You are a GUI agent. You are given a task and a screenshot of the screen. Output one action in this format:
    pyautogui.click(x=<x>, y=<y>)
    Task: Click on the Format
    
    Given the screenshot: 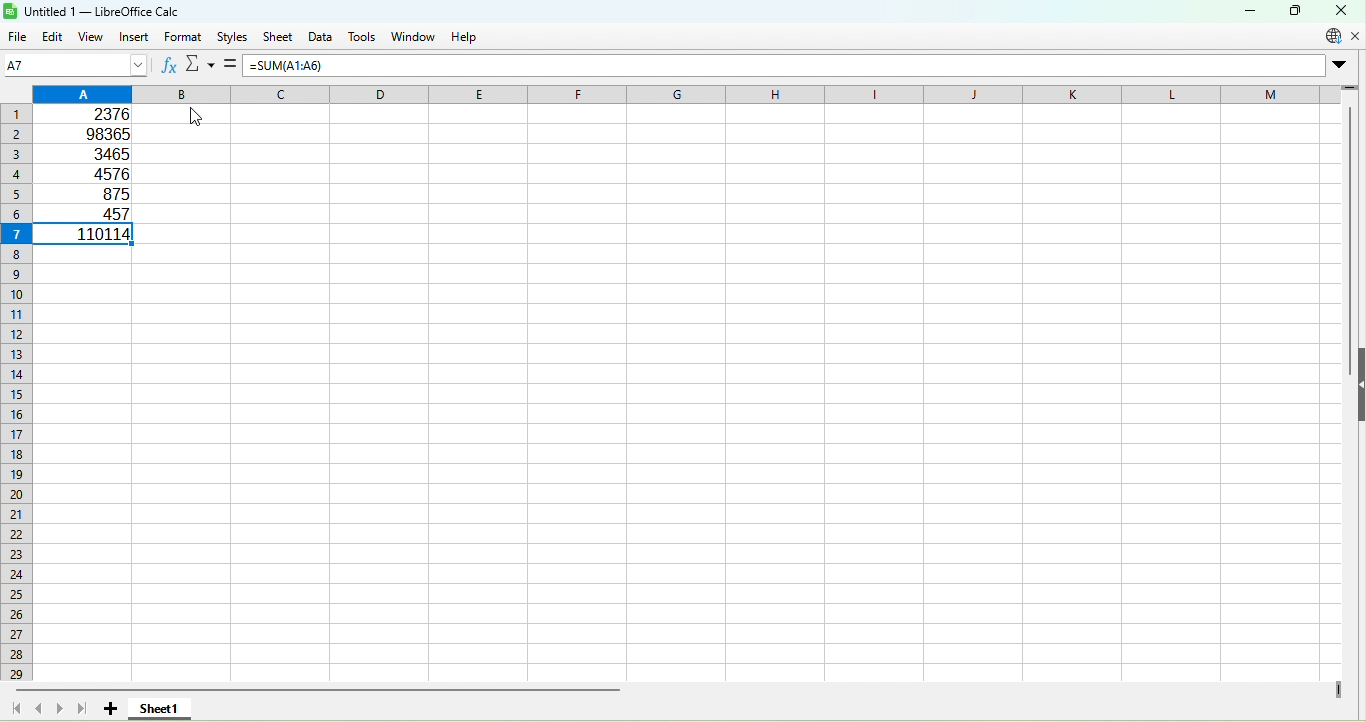 What is the action you would take?
    pyautogui.click(x=183, y=37)
    